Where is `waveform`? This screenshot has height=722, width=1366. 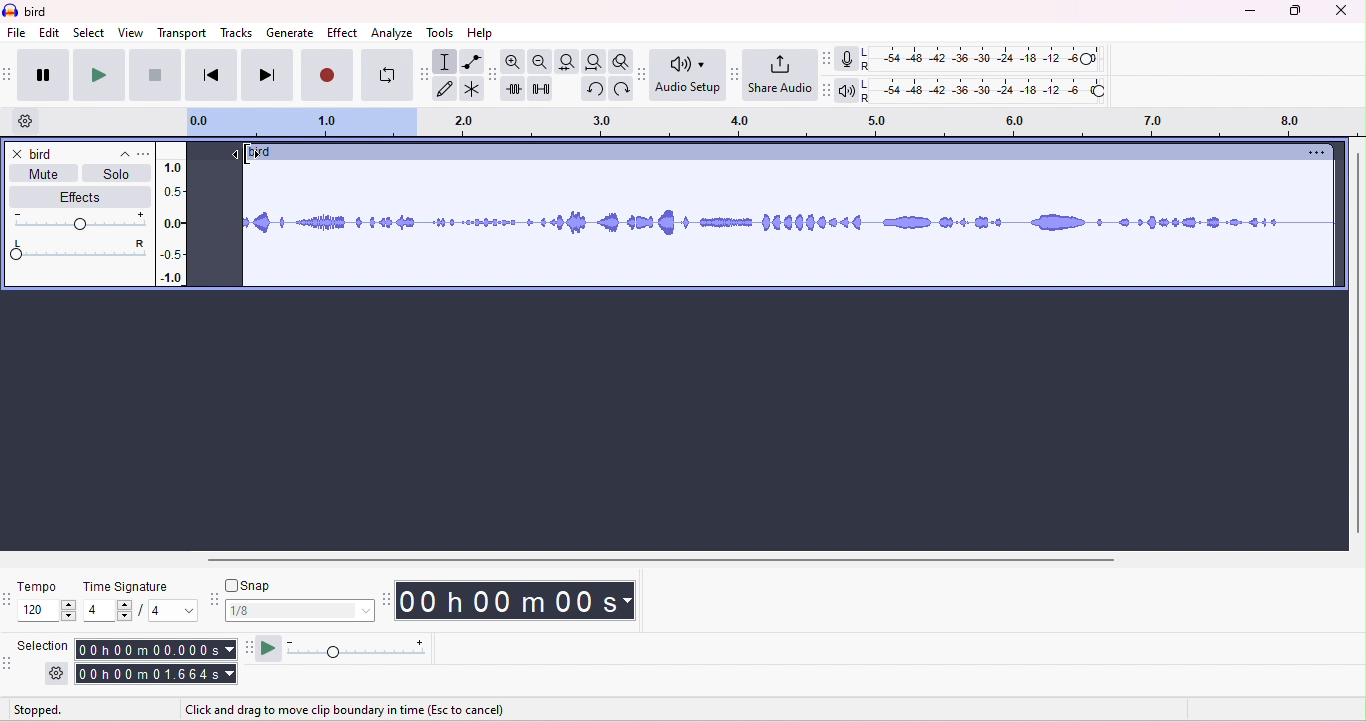 waveform is located at coordinates (790, 225).